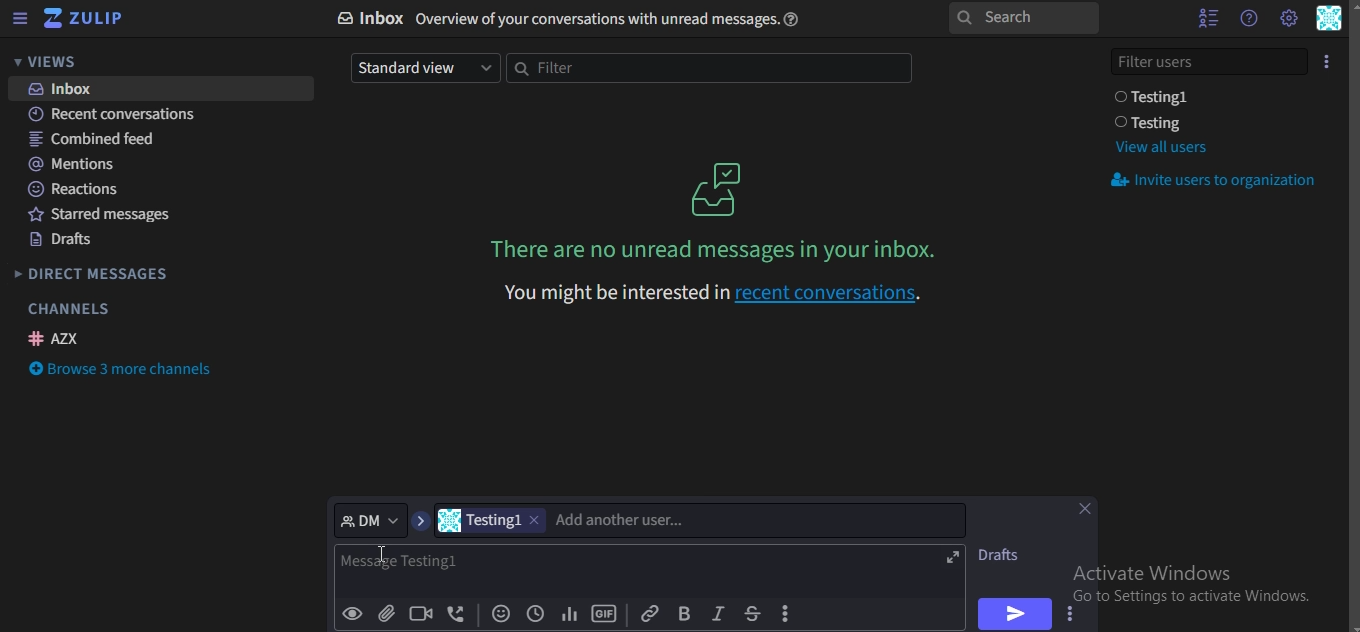  I want to click on There are no unread messages in your inbox., so click(718, 249).